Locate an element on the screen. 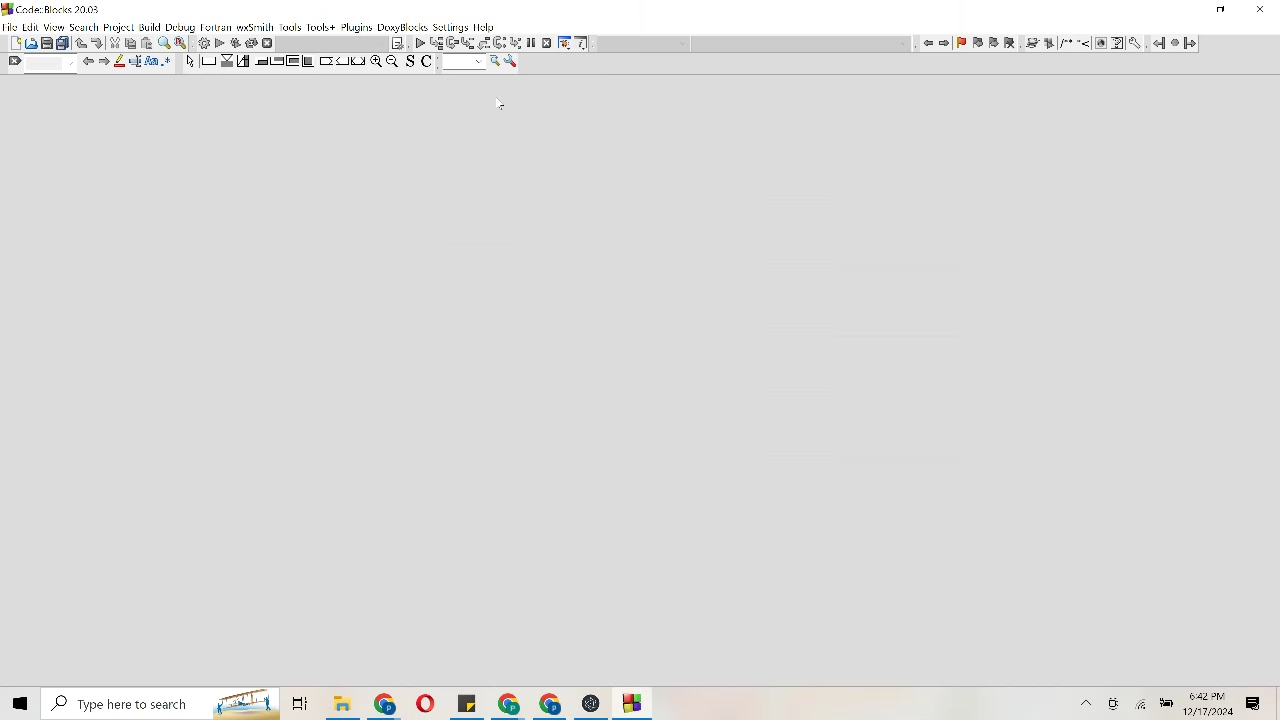 This screenshot has width=1280, height=720. Search bar is located at coordinates (159, 704).